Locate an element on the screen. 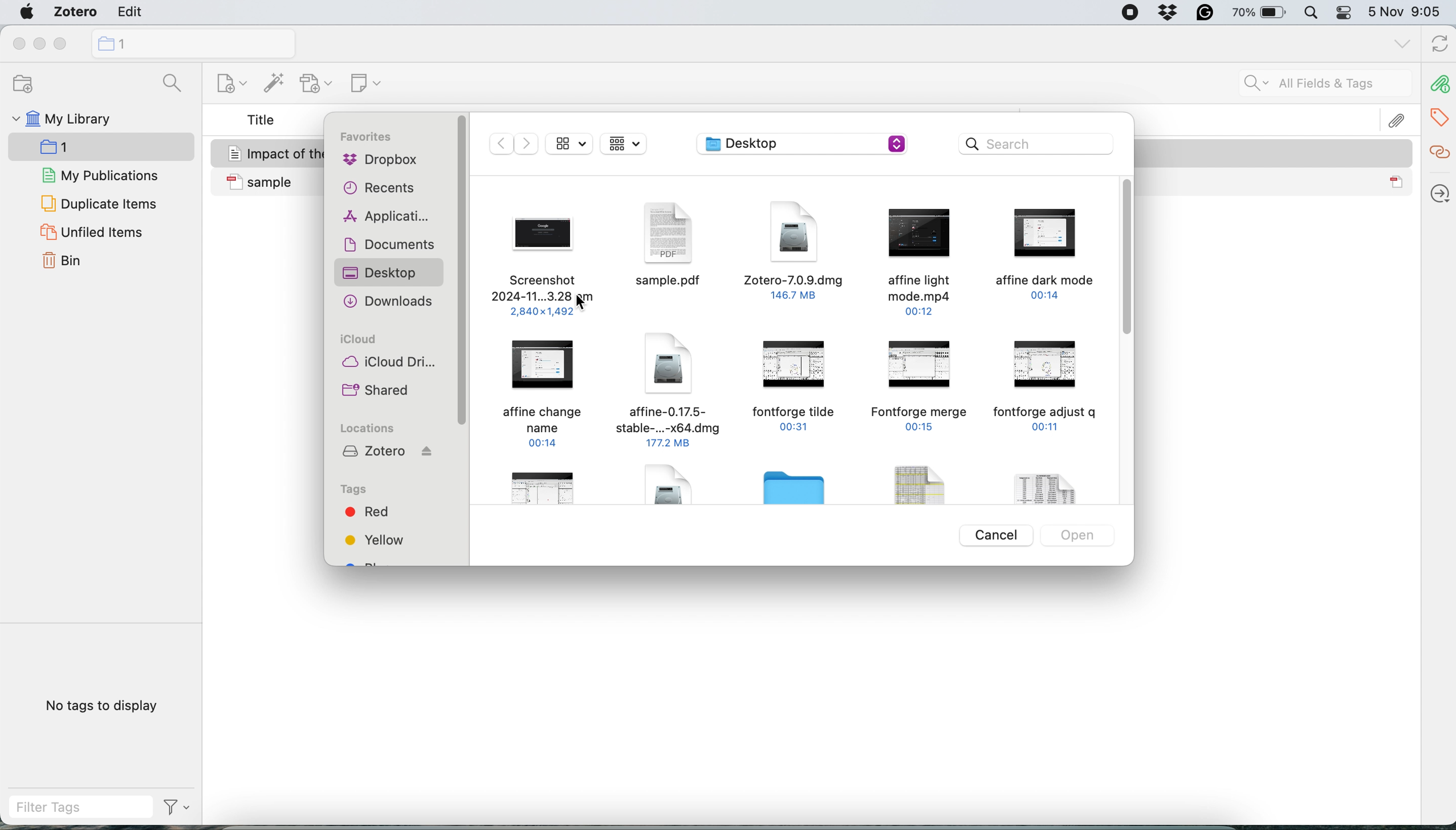  Next is located at coordinates (527, 144).